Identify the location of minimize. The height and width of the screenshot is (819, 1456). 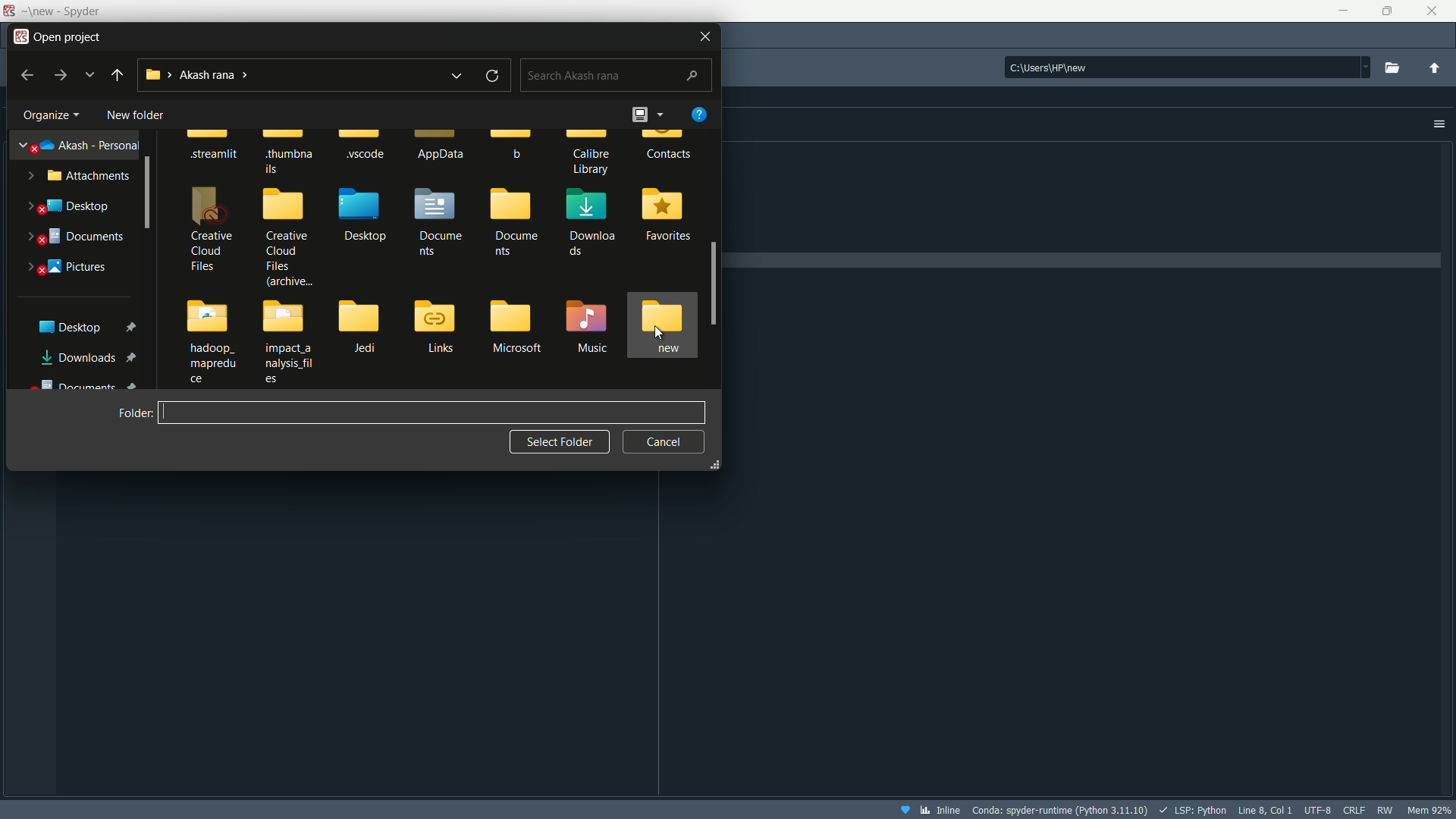
(1341, 9).